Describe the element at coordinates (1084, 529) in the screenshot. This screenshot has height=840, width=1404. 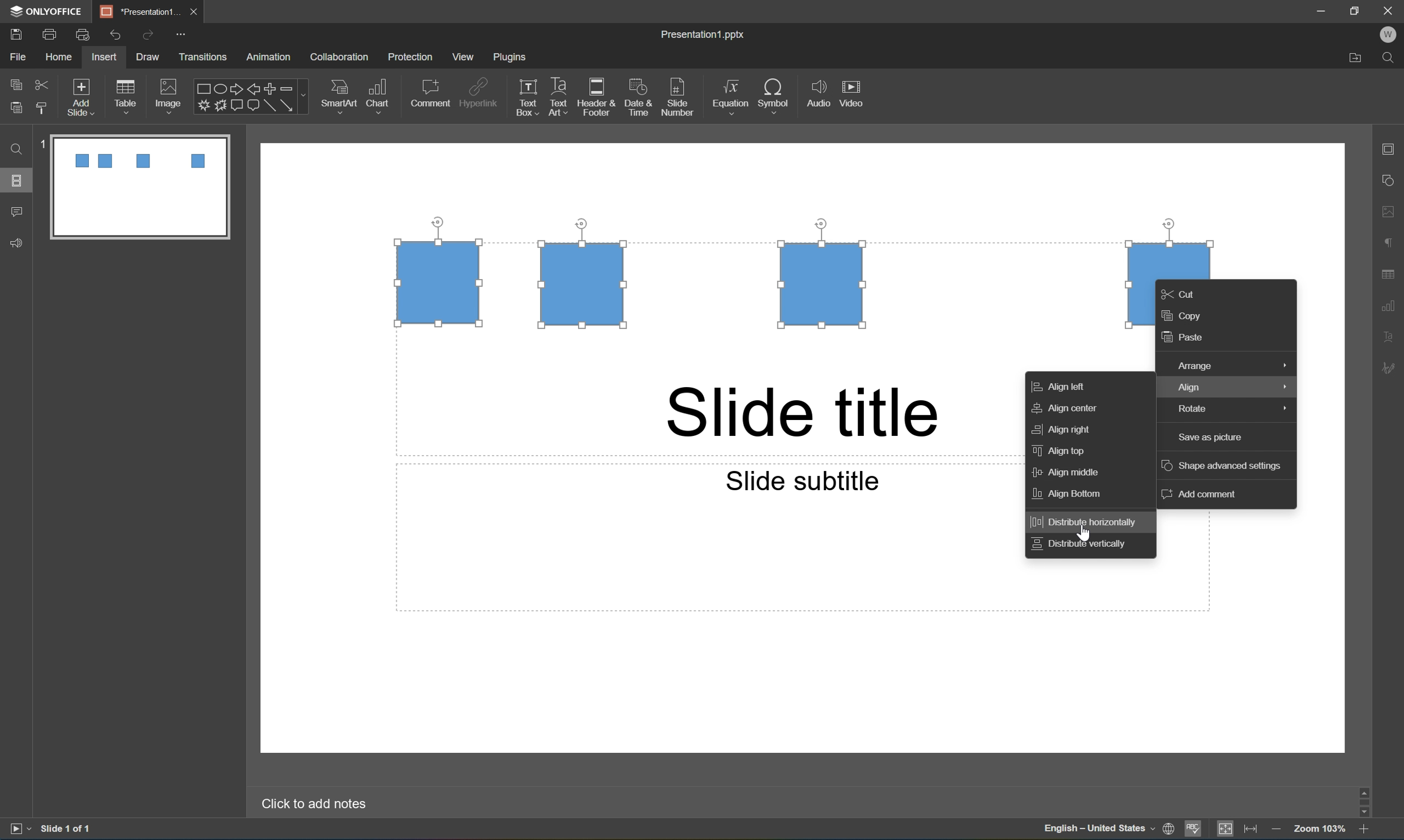
I see `Cursor` at that location.